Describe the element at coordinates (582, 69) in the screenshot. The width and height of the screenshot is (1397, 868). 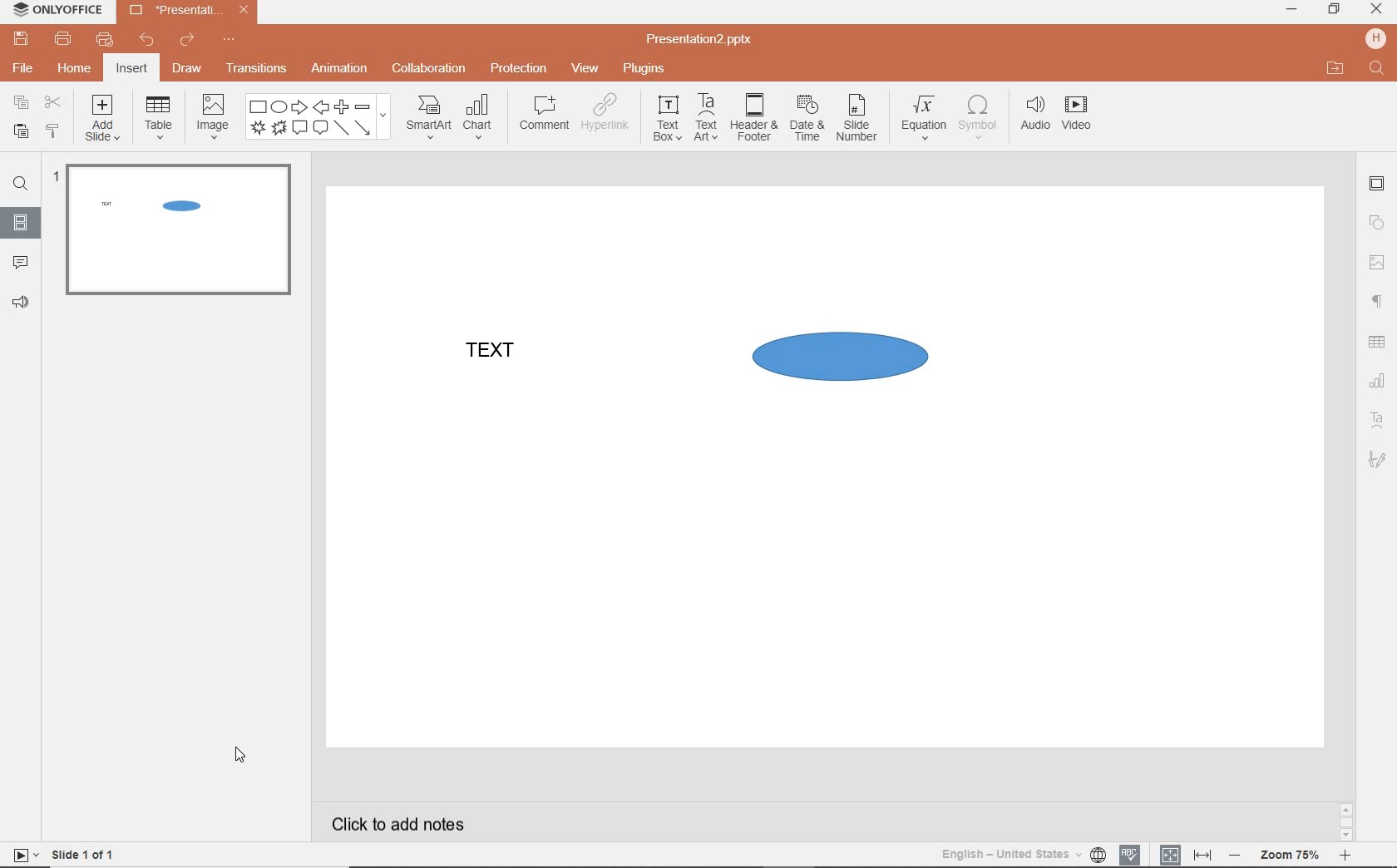
I see `view` at that location.